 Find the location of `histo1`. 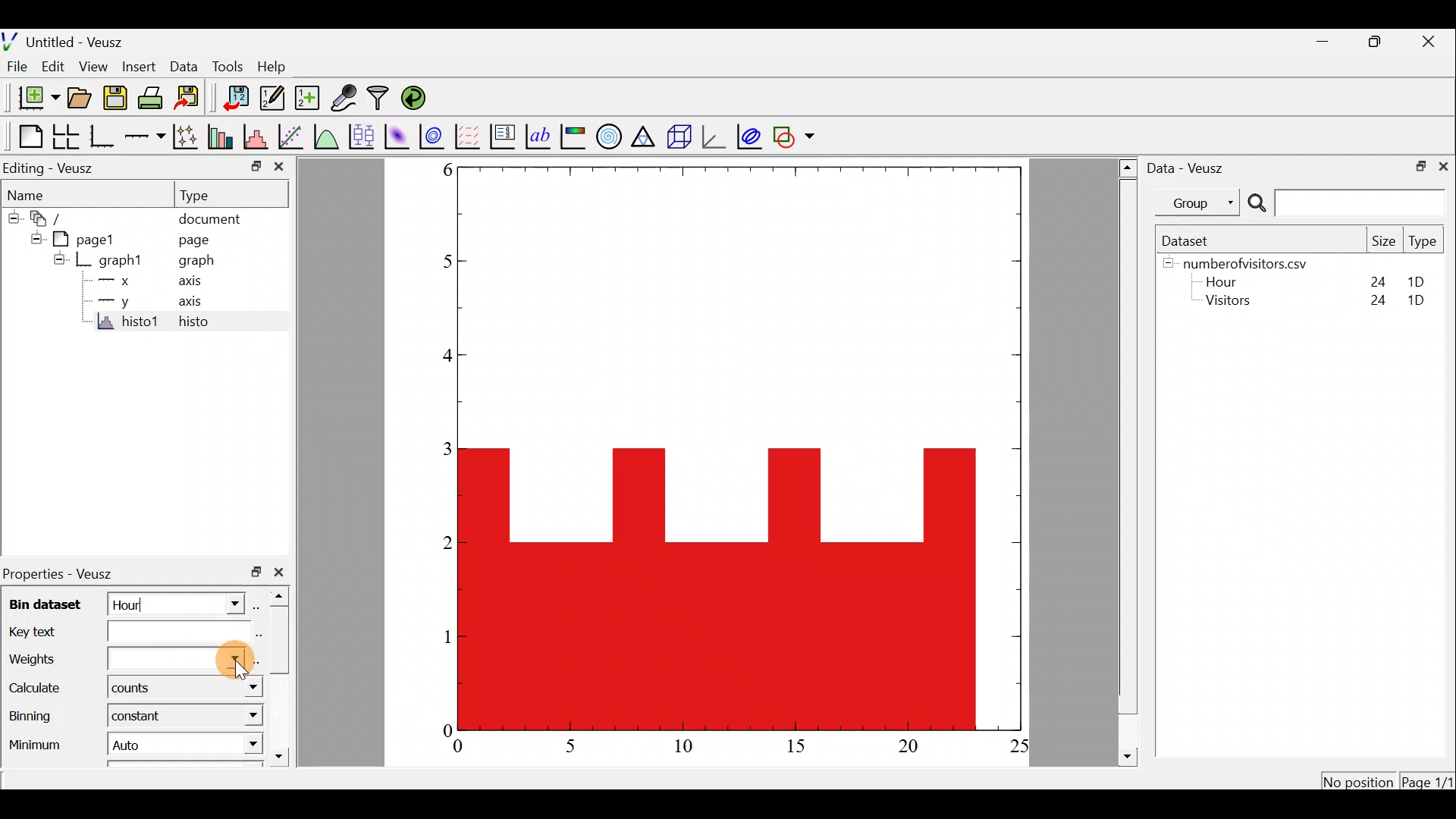

histo1 is located at coordinates (123, 324).